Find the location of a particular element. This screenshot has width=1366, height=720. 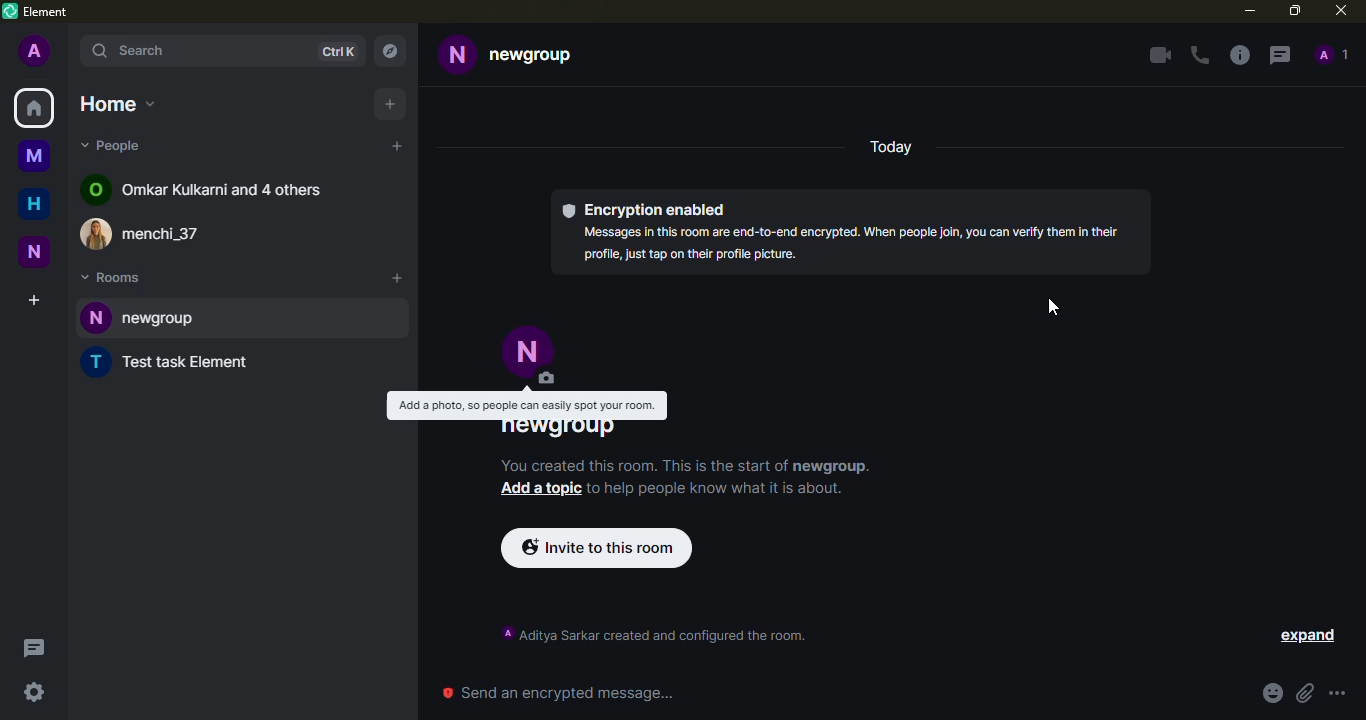

Messages in this room are end-to-end encrypted. When people join, you can verify them in their
profile, just tap on their profile picture. is located at coordinates (851, 244).